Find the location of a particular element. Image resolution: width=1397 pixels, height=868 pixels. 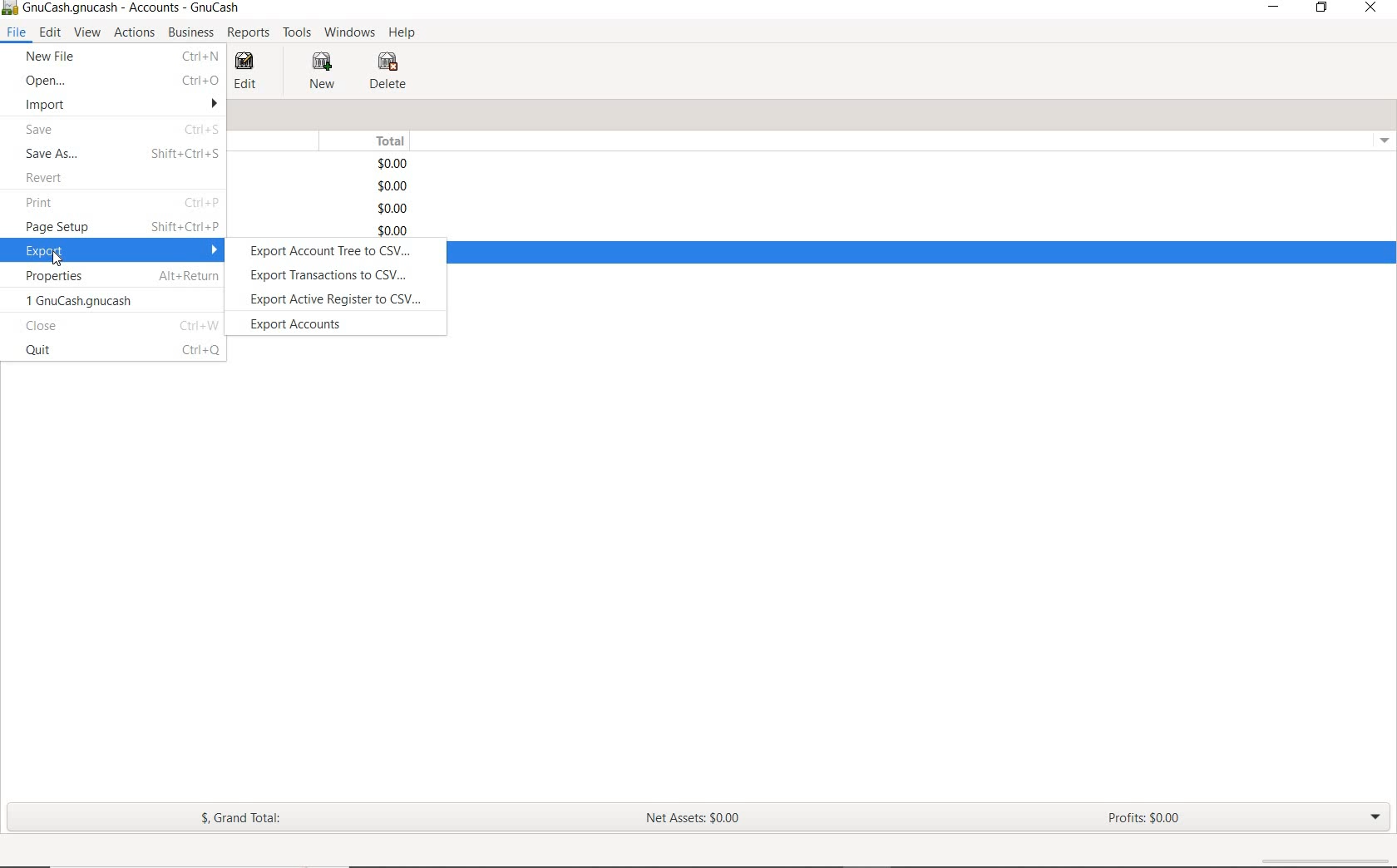

export accounts is located at coordinates (315, 324).